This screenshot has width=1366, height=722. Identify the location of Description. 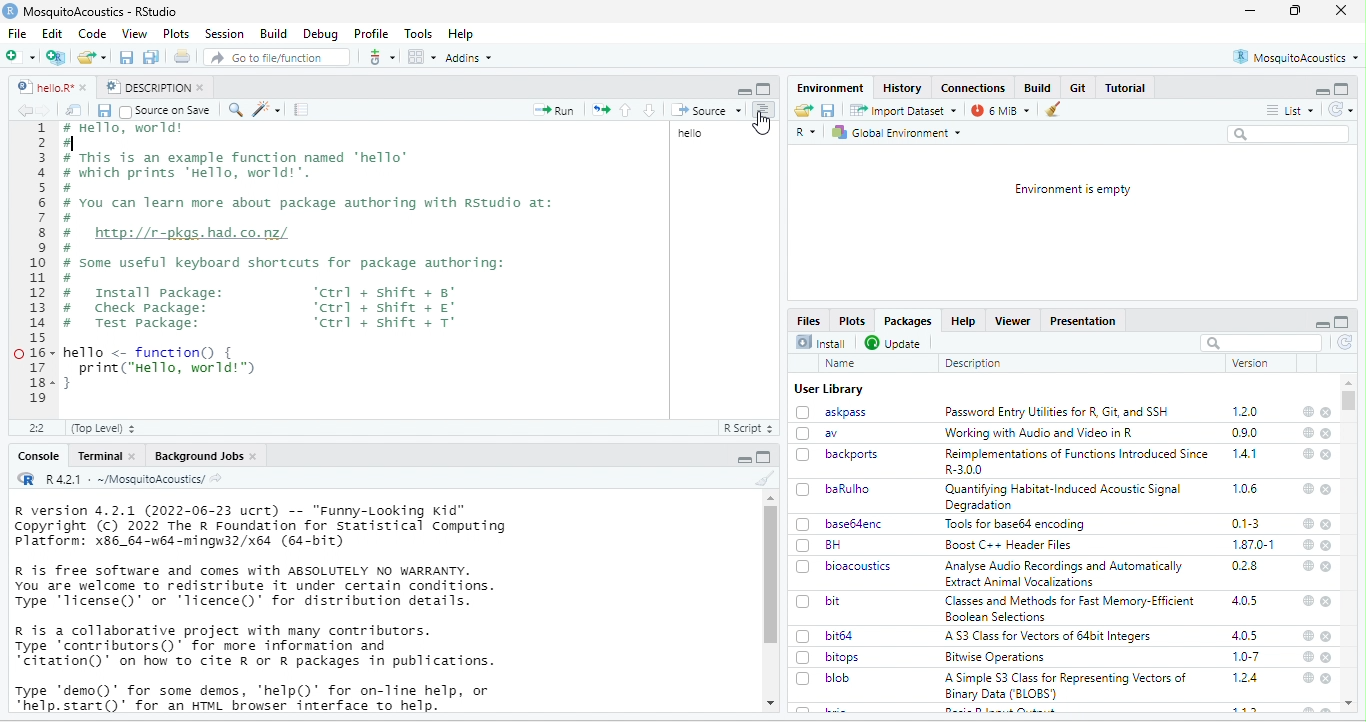
(973, 363).